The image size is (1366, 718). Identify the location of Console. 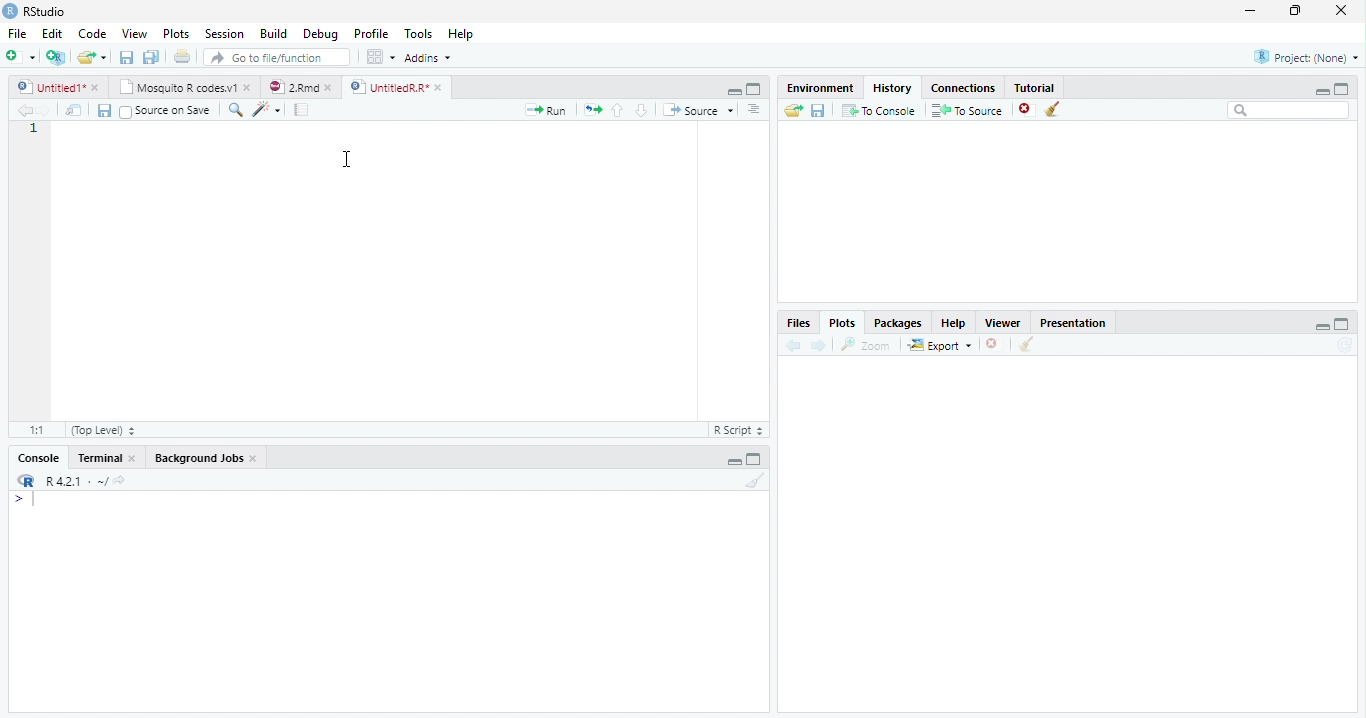
(40, 457).